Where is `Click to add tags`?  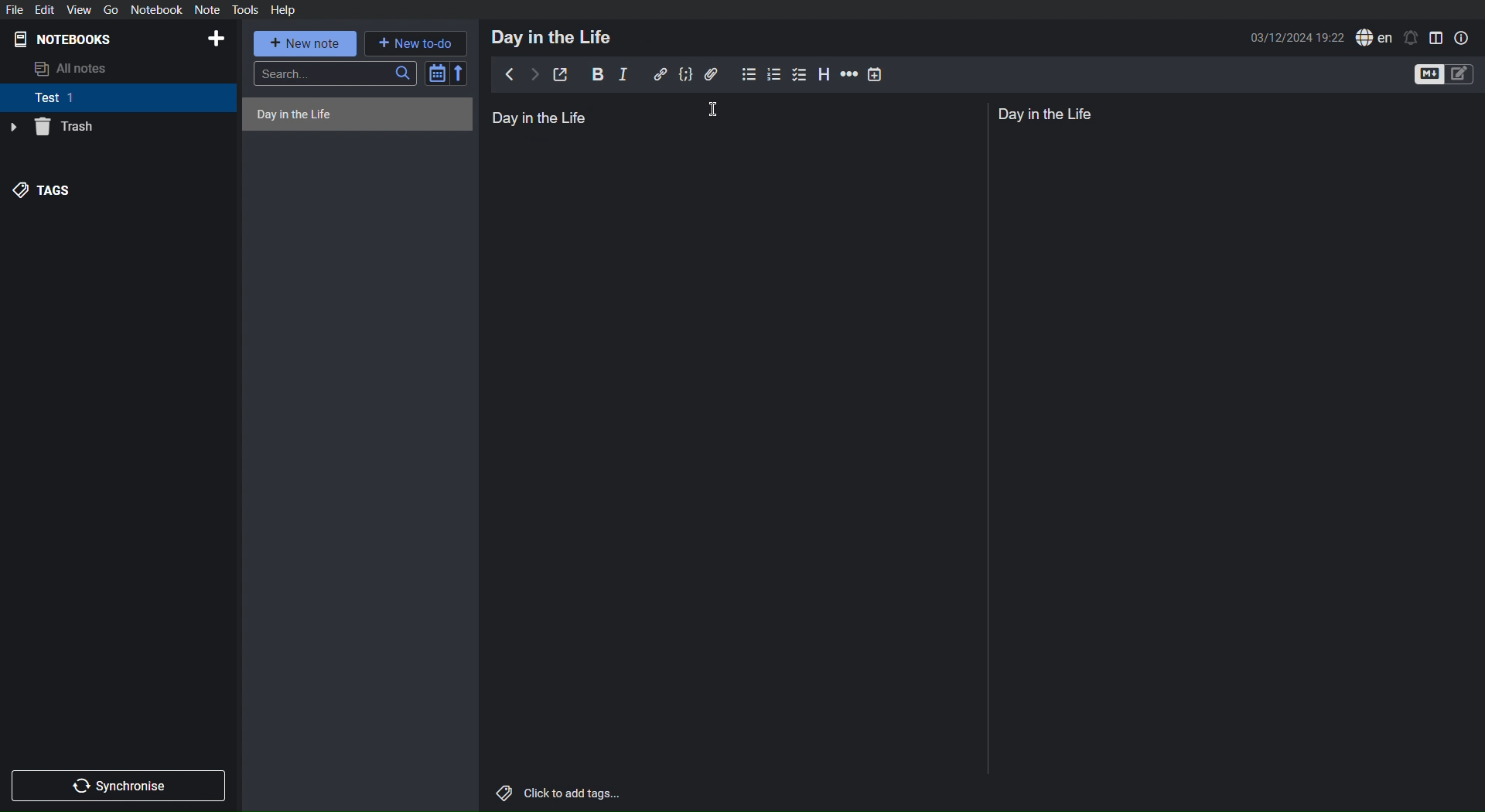 Click to add tags is located at coordinates (558, 793).